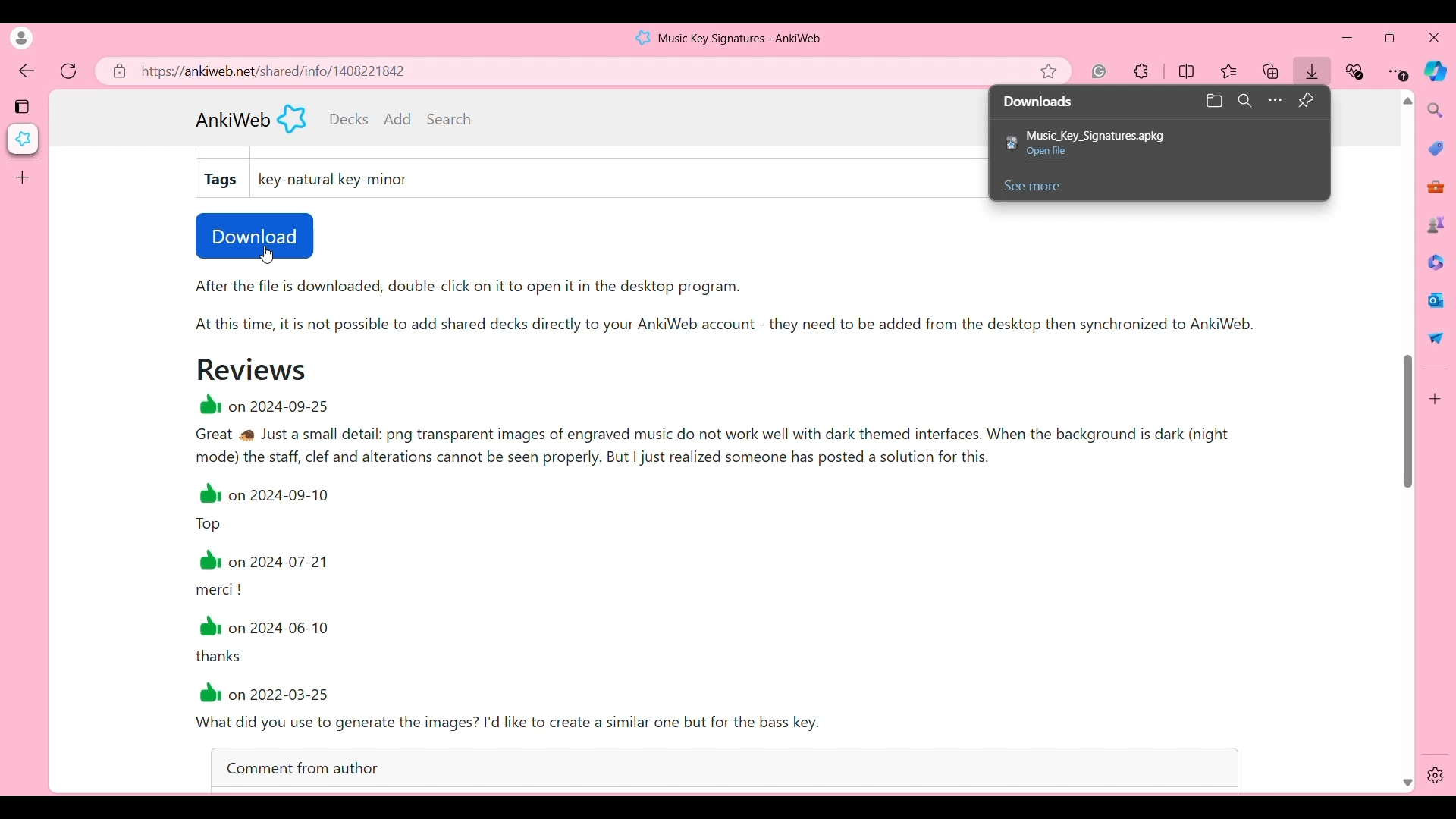  Describe the element at coordinates (118, 71) in the screenshot. I see `Click to view site information` at that location.